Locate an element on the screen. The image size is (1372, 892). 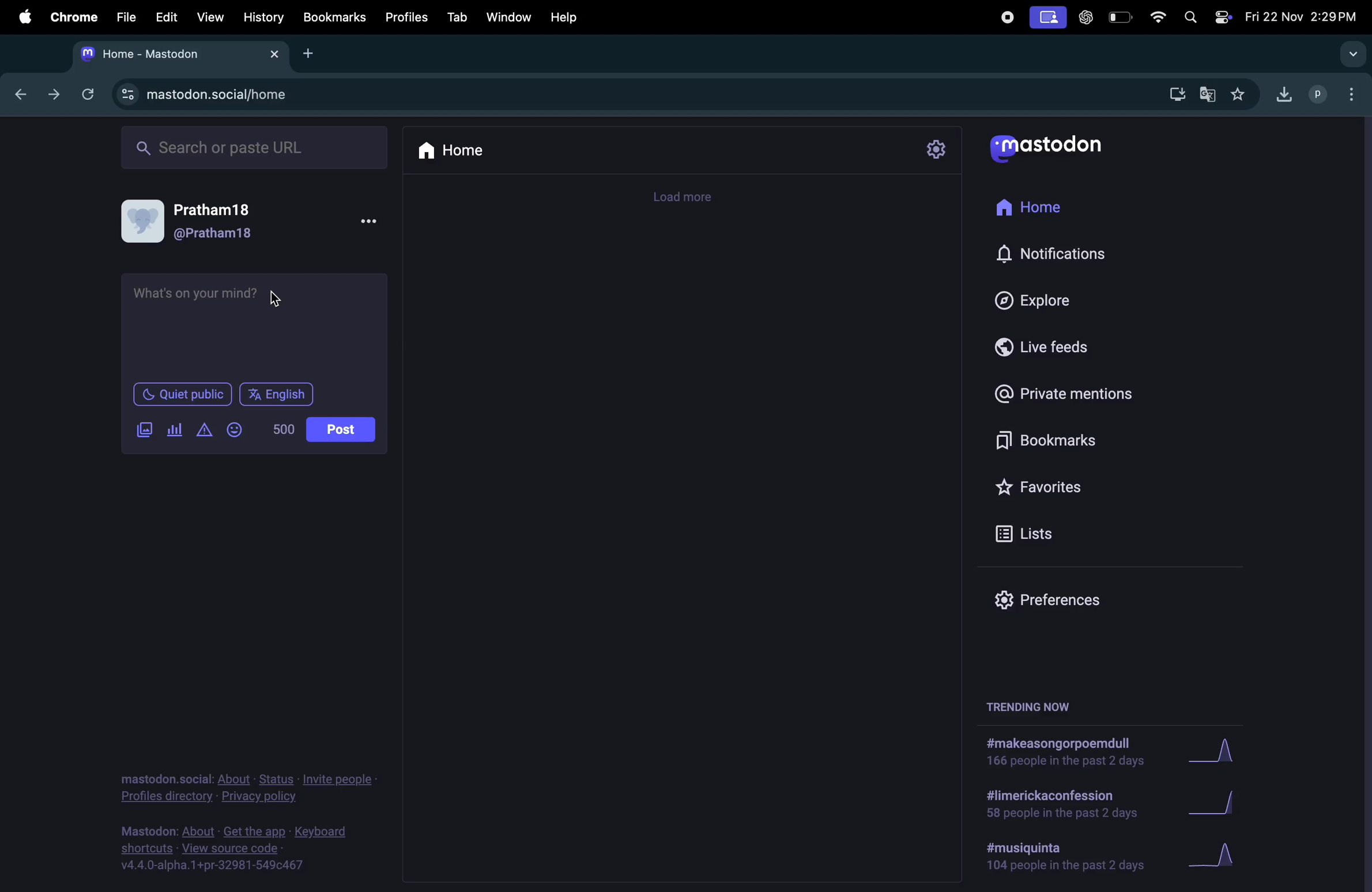
history is located at coordinates (263, 16).